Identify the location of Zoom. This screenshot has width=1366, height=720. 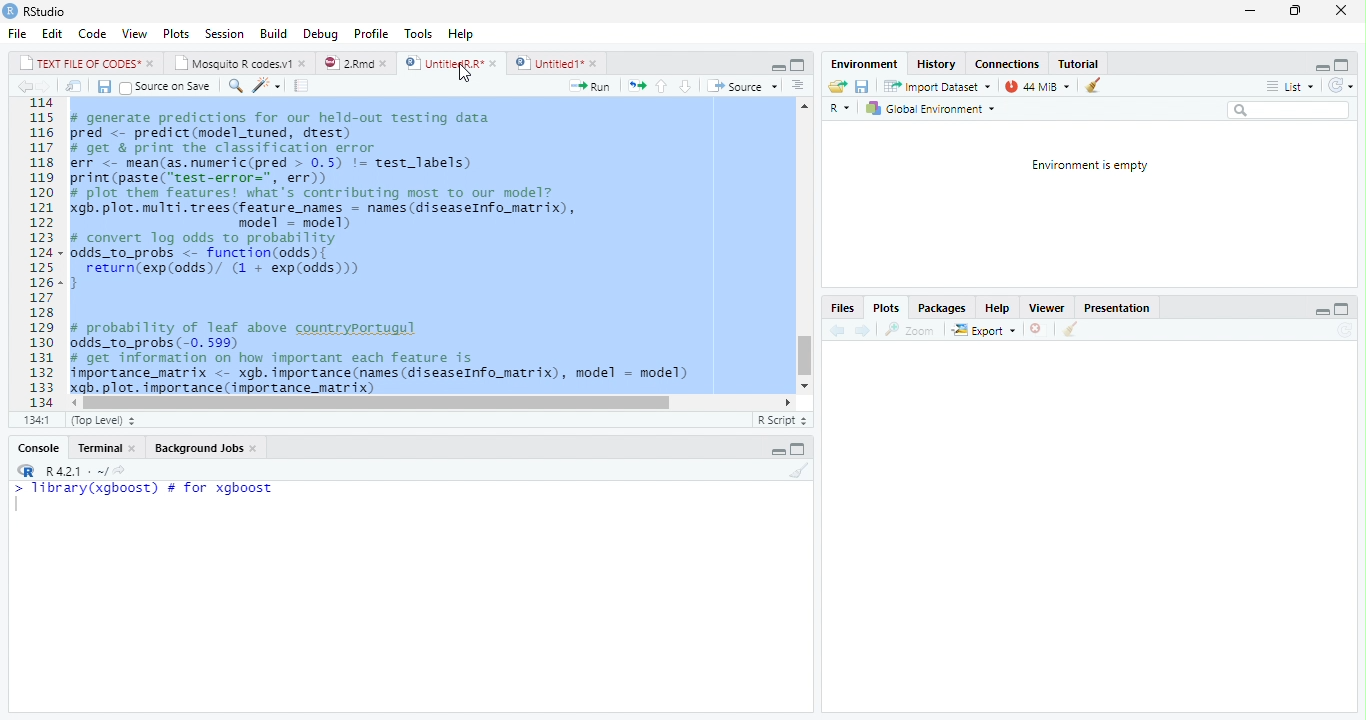
(911, 328).